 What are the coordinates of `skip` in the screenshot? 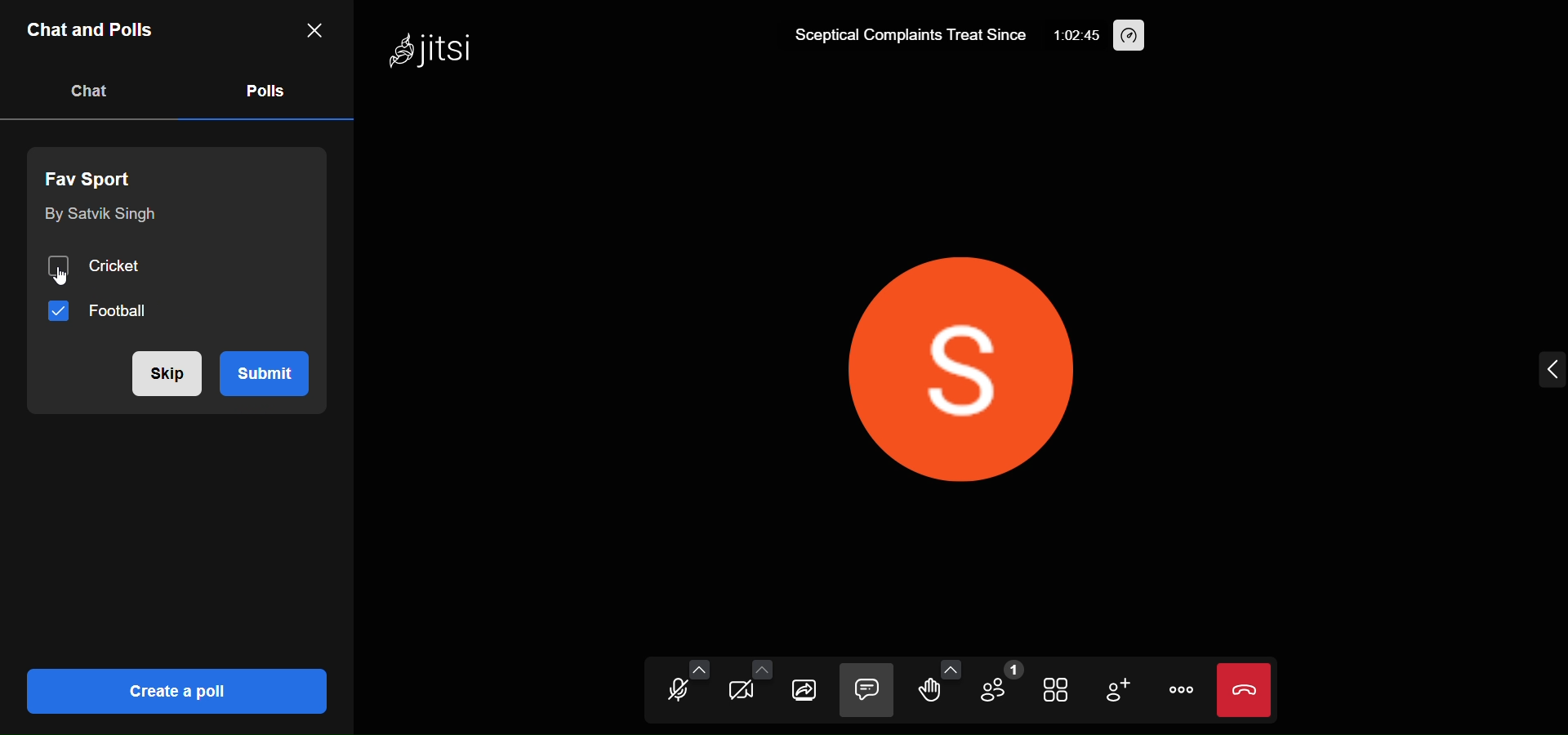 It's located at (163, 373).